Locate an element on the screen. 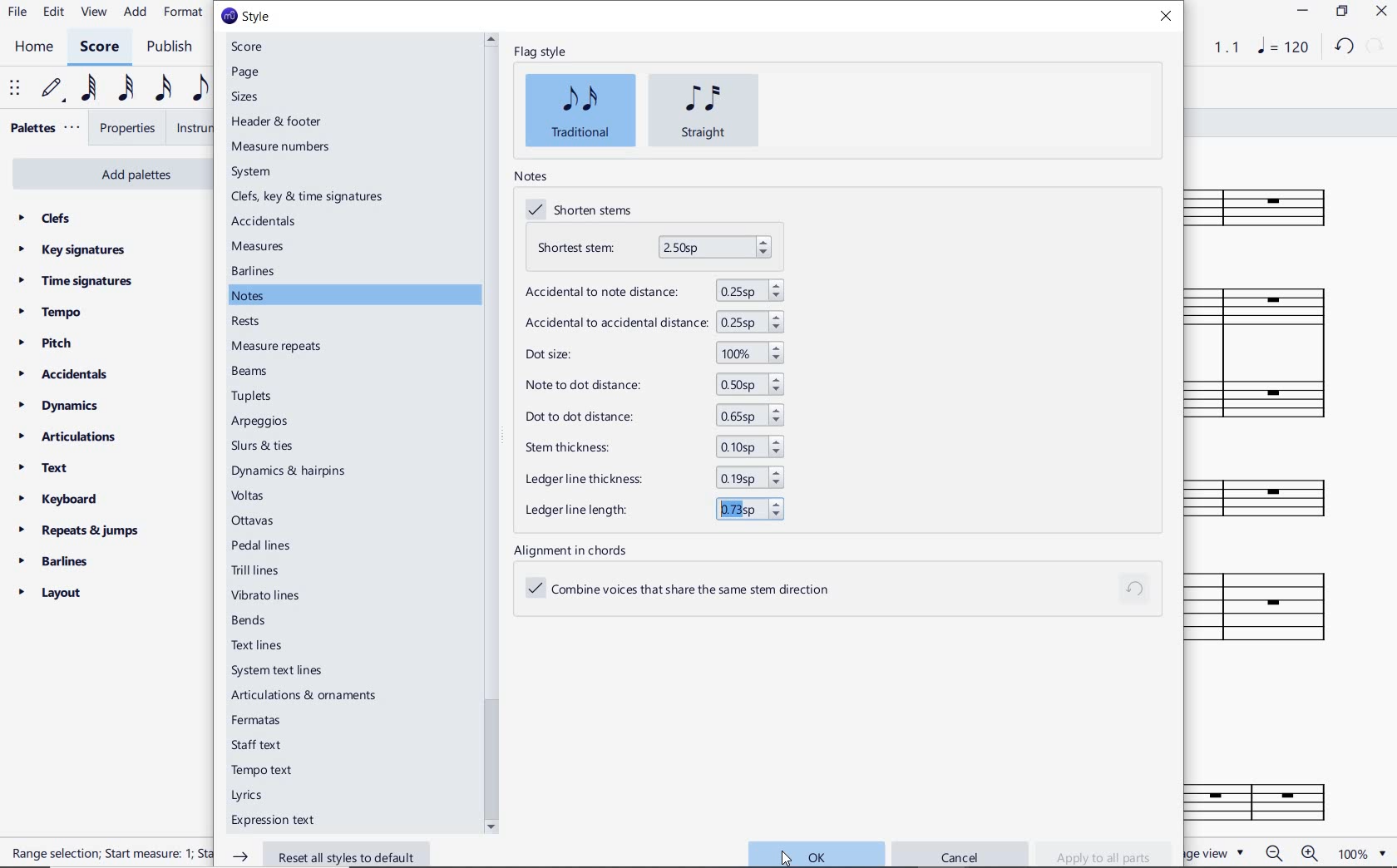 This screenshot has width=1397, height=868. sizes is located at coordinates (249, 96).